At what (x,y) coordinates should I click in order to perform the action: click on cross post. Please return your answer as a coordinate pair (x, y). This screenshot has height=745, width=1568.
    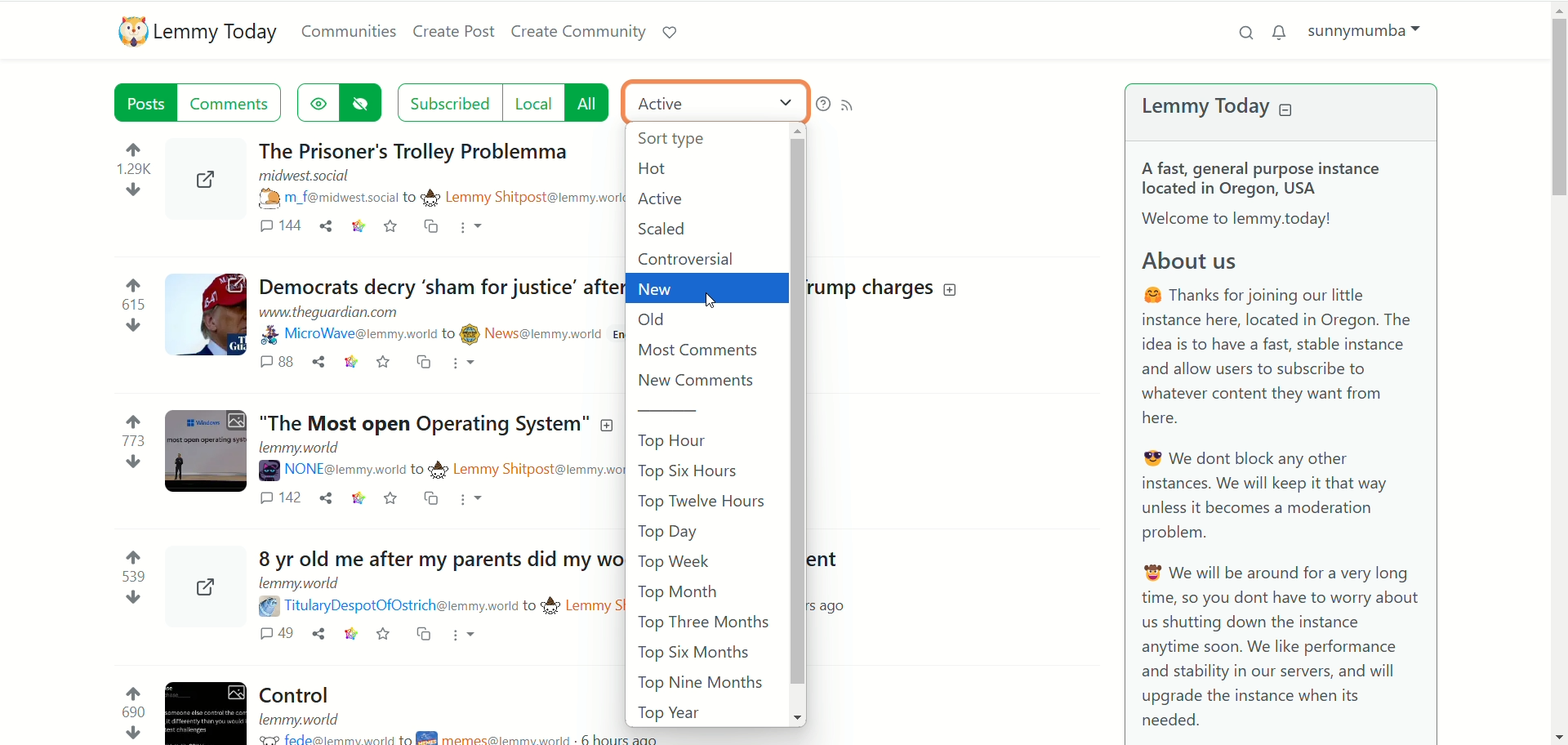
    Looking at the image, I should click on (434, 227).